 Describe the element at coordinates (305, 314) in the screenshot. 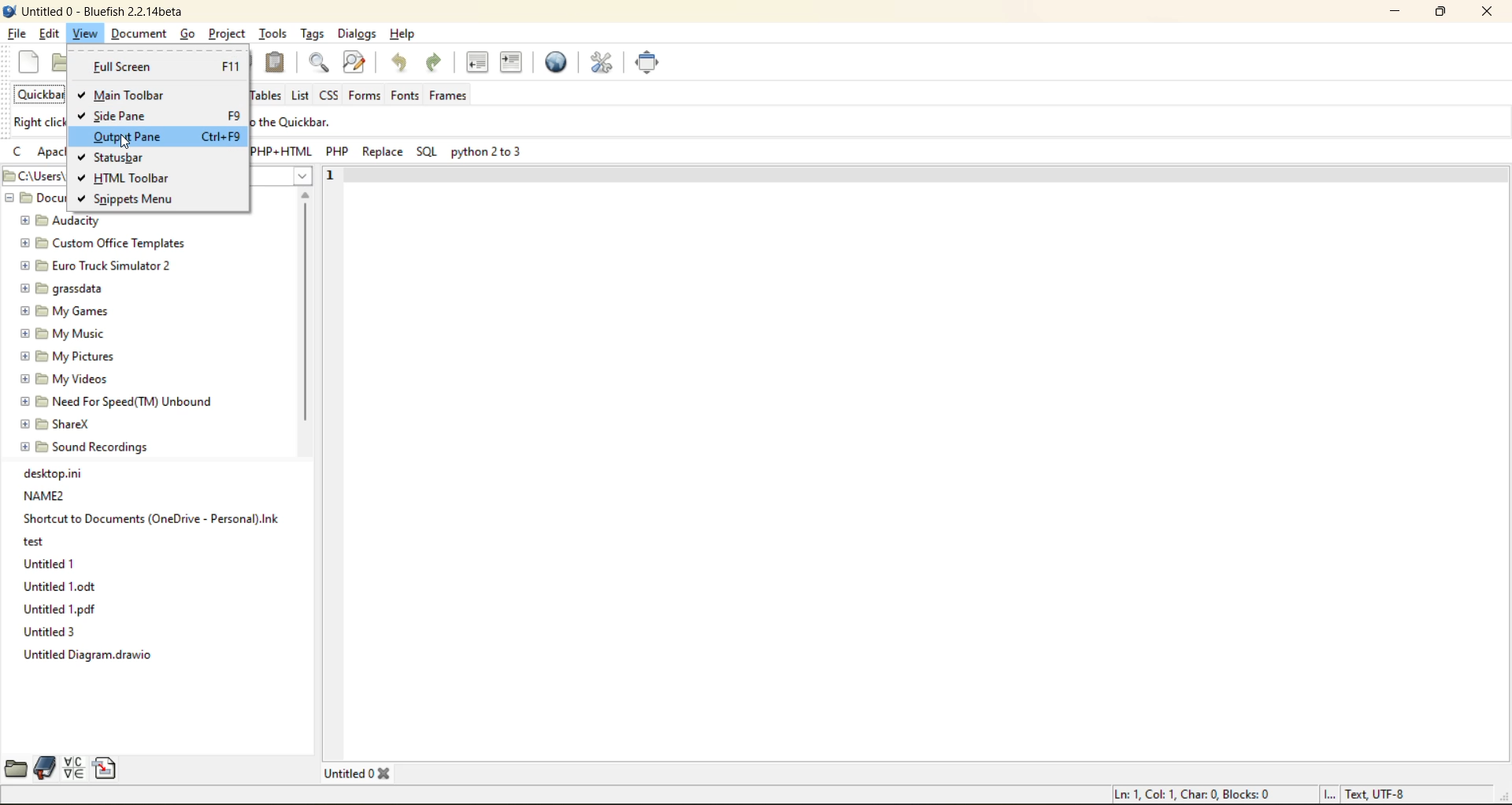

I see `vertical scroll  bar` at that location.